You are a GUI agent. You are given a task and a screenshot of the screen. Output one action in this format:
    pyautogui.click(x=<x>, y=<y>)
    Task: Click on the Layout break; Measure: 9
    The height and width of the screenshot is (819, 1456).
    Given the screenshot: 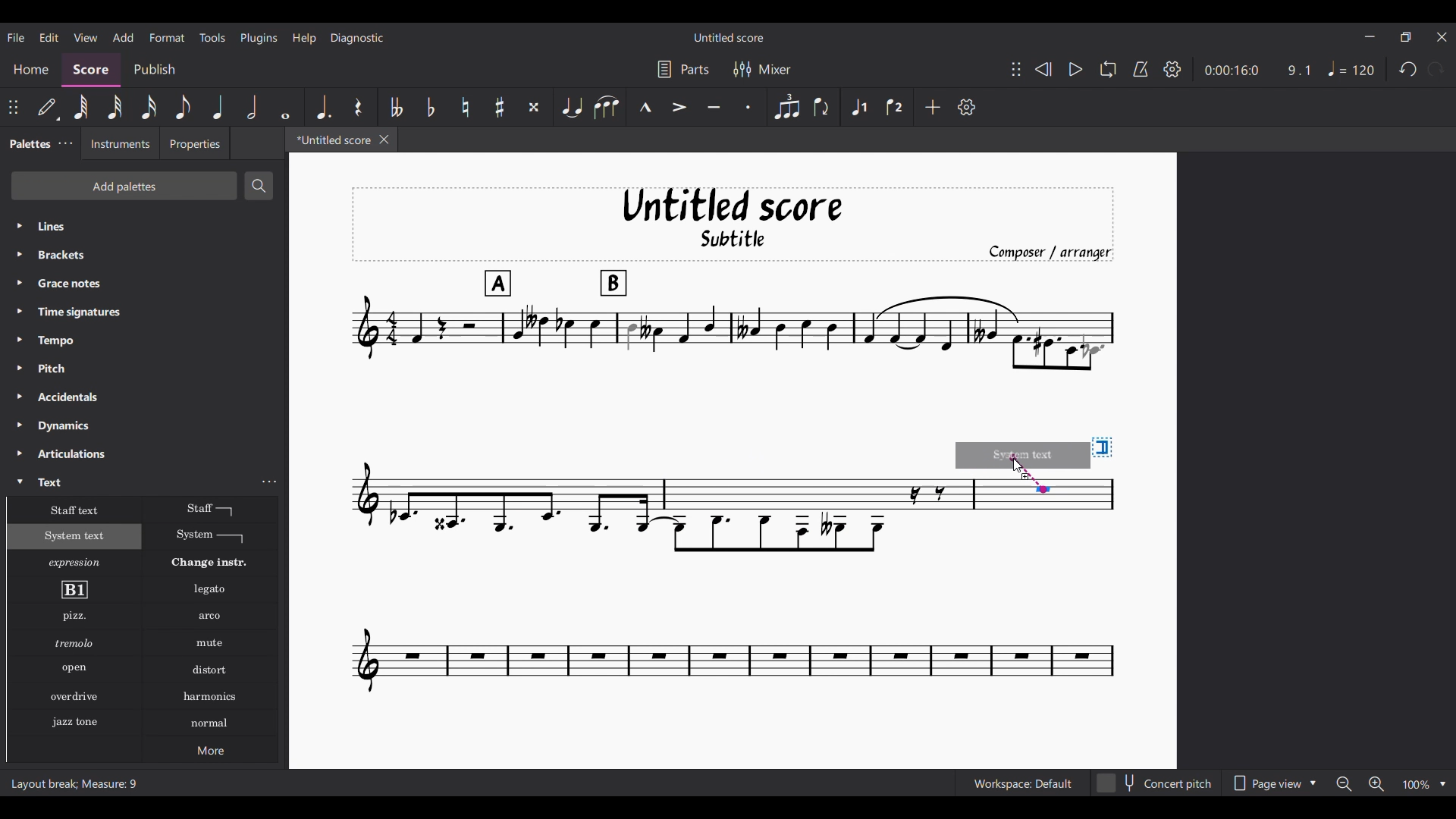 What is the action you would take?
    pyautogui.click(x=79, y=783)
    